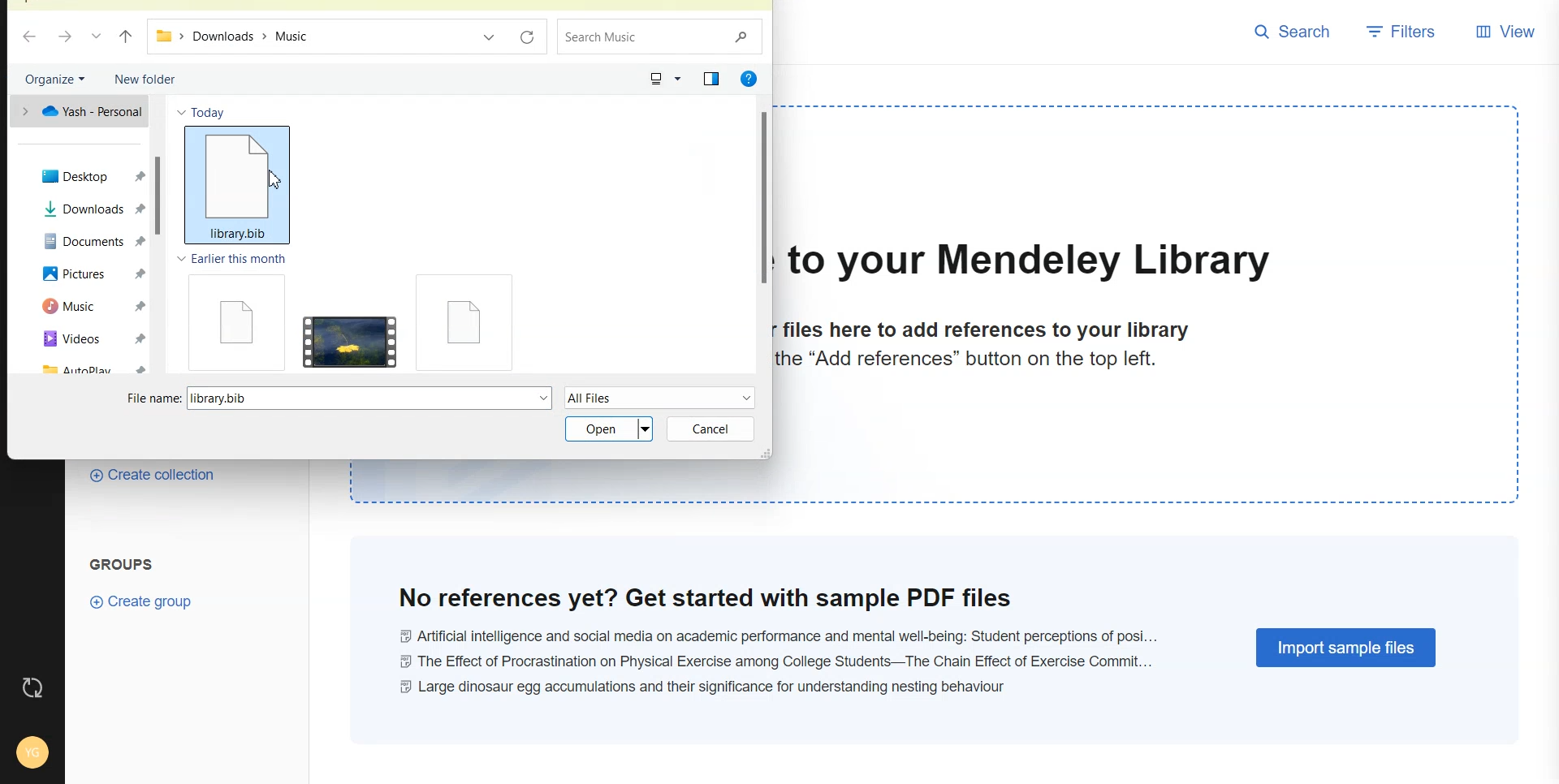 Image resolution: width=1559 pixels, height=784 pixels. I want to click on Create Group, so click(144, 601).